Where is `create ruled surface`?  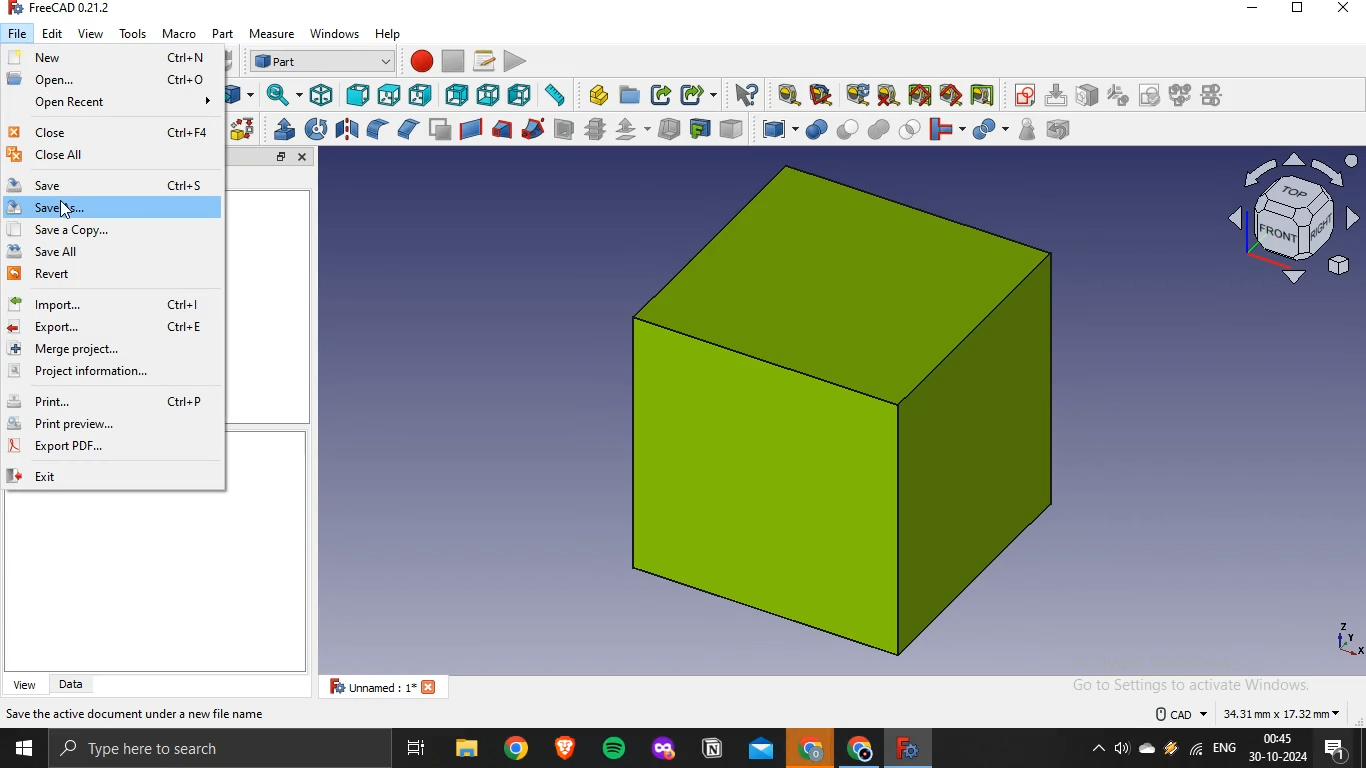
create ruled surface is located at coordinates (471, 129).